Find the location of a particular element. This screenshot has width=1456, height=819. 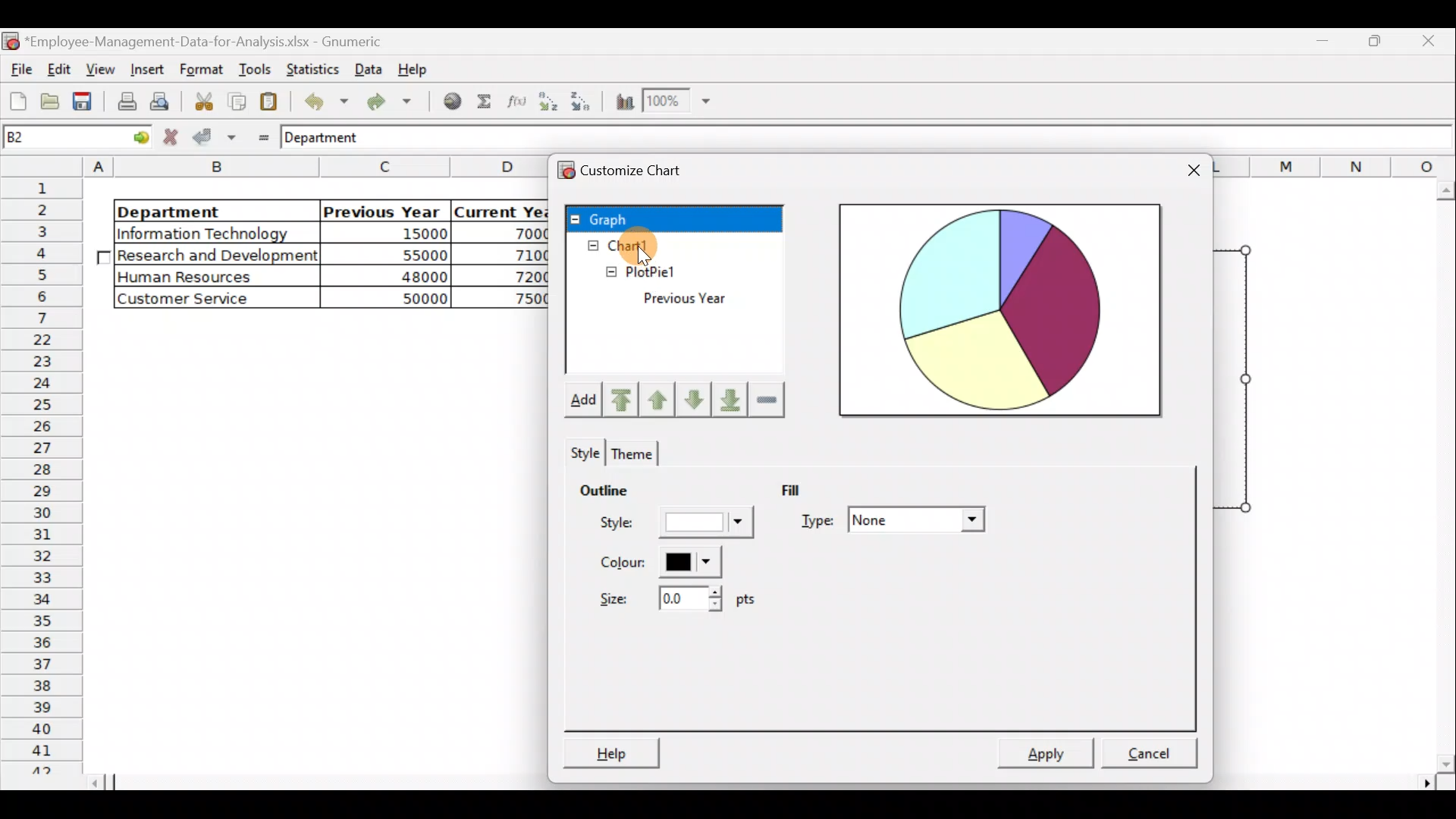

Tools is located at coordinates (251, 68).